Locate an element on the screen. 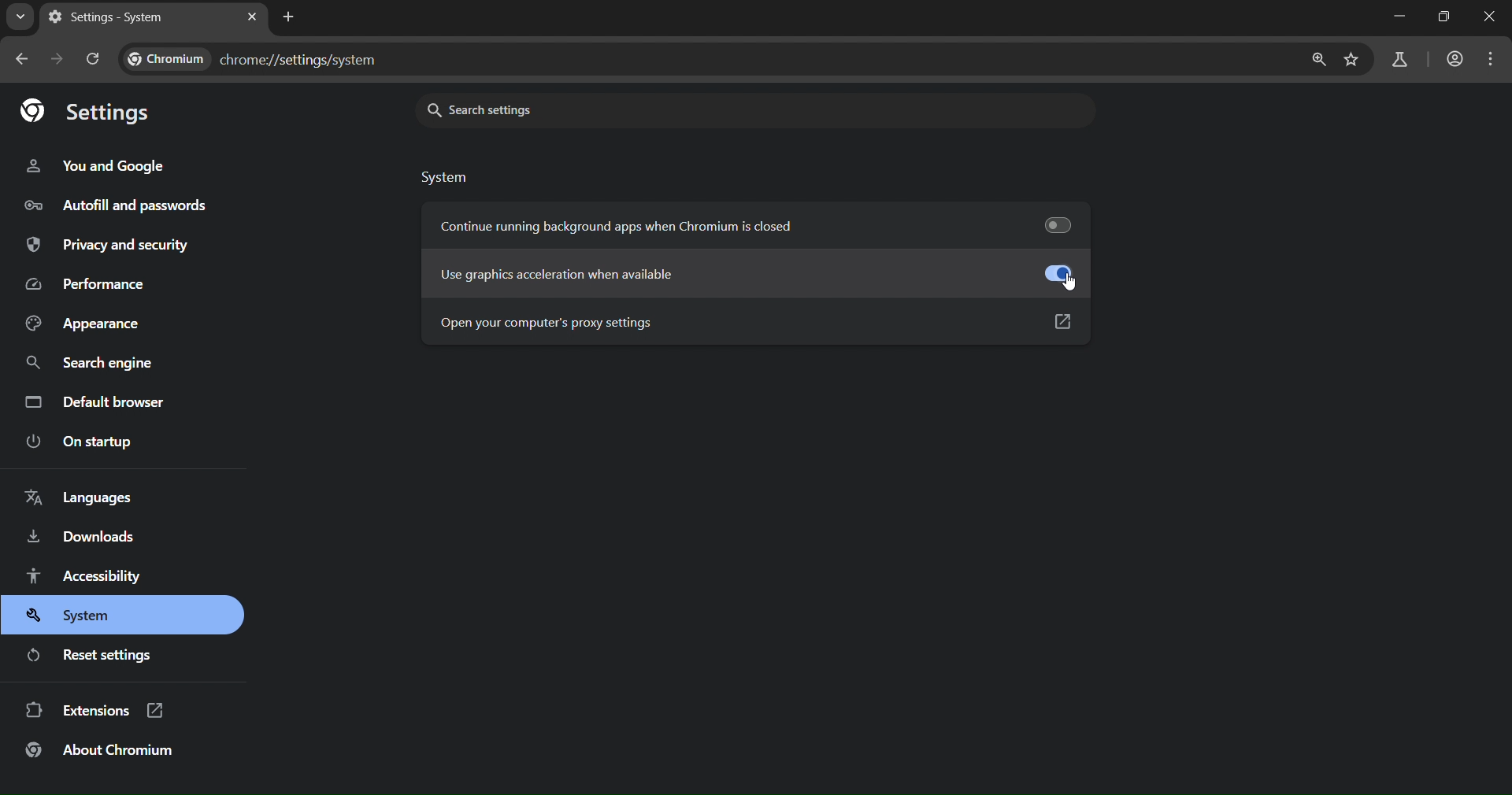 The image size is (1512, 795). reload page is located at coordinates (94, 56).